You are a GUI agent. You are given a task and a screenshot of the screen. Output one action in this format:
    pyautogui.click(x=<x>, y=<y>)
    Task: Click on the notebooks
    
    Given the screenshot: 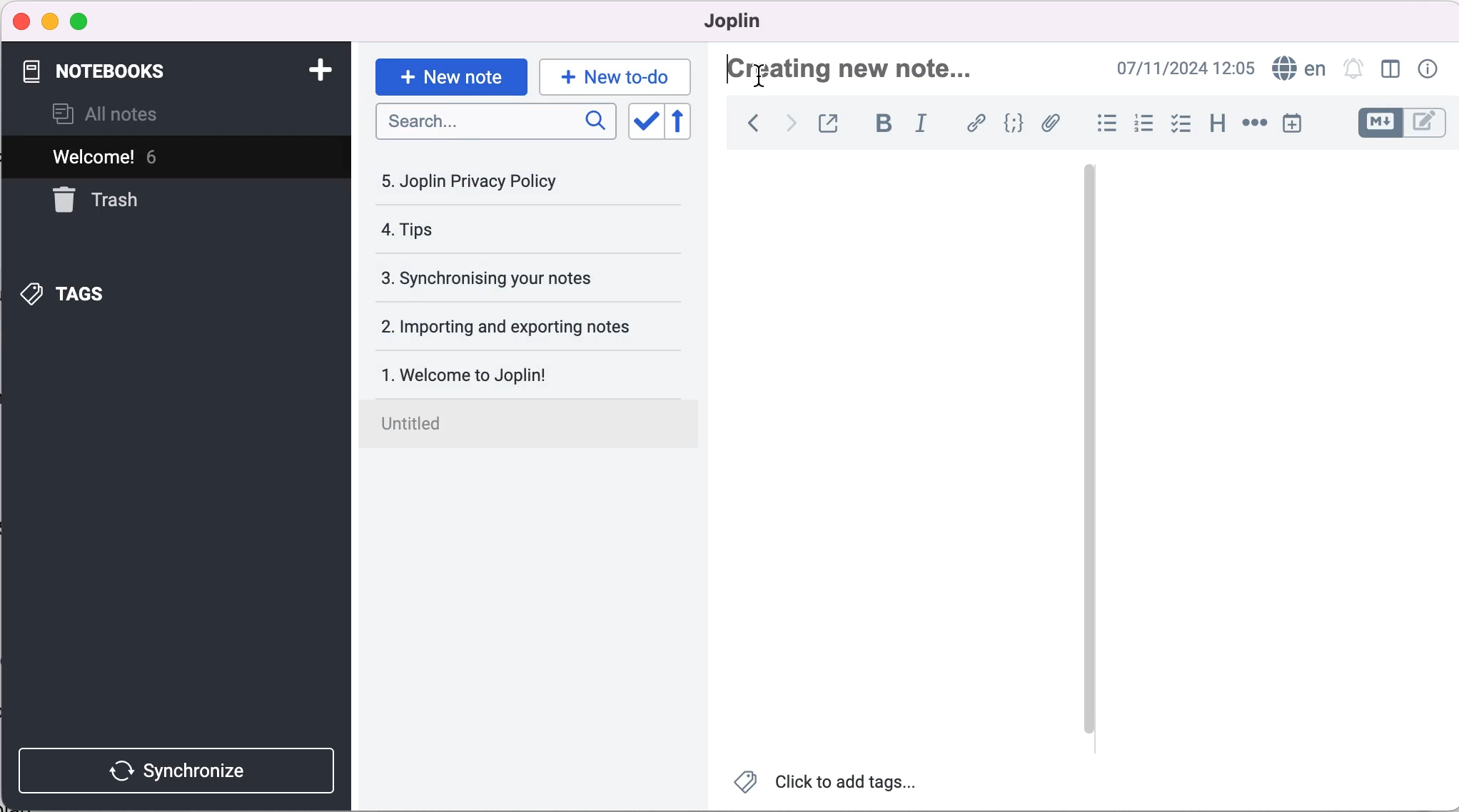 What is the action you would take?
    pyautogui.click(x=106, y=72)
    